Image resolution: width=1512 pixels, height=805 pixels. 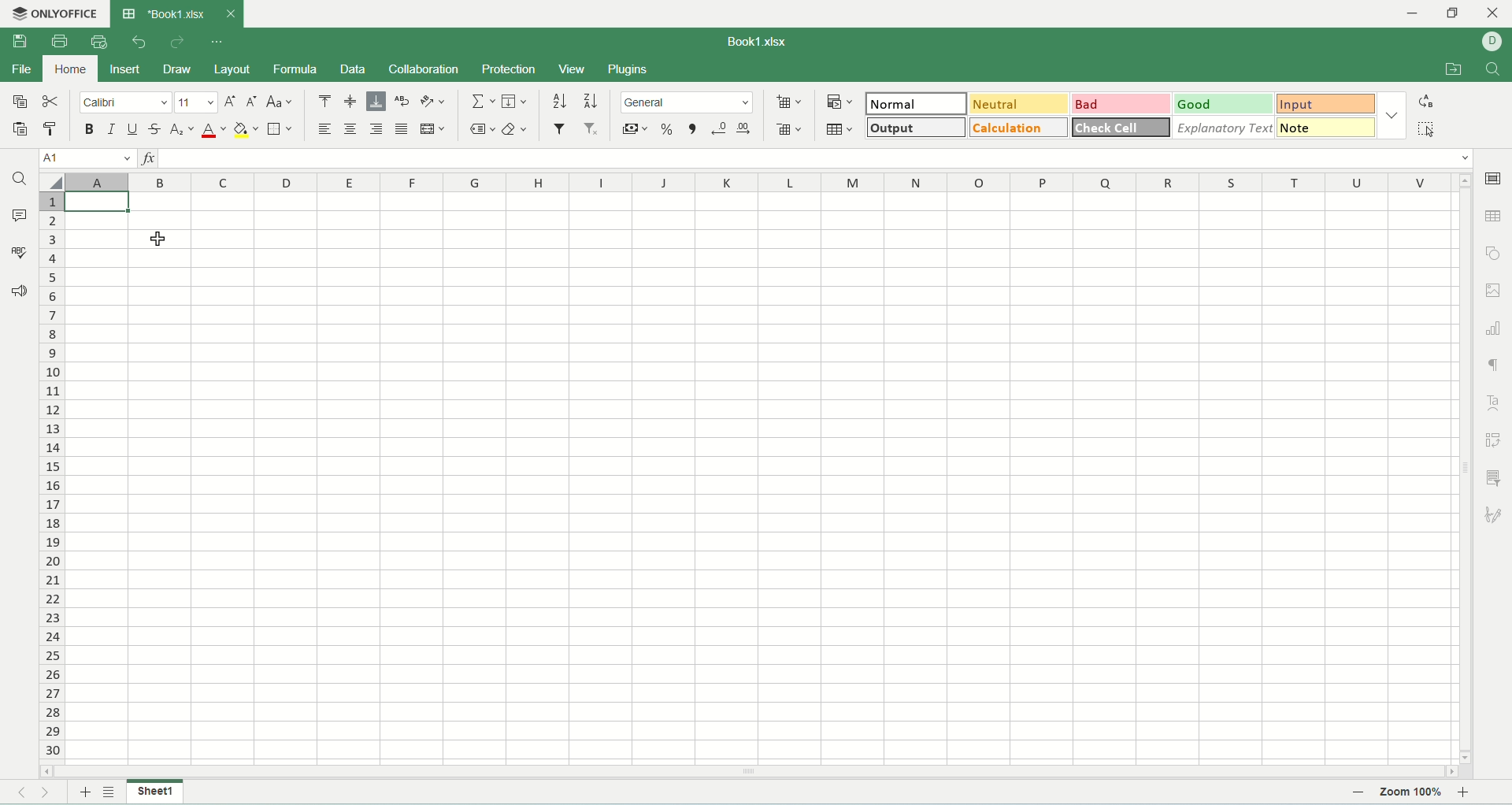 I want to click on close, so click(x=1493, y=14).